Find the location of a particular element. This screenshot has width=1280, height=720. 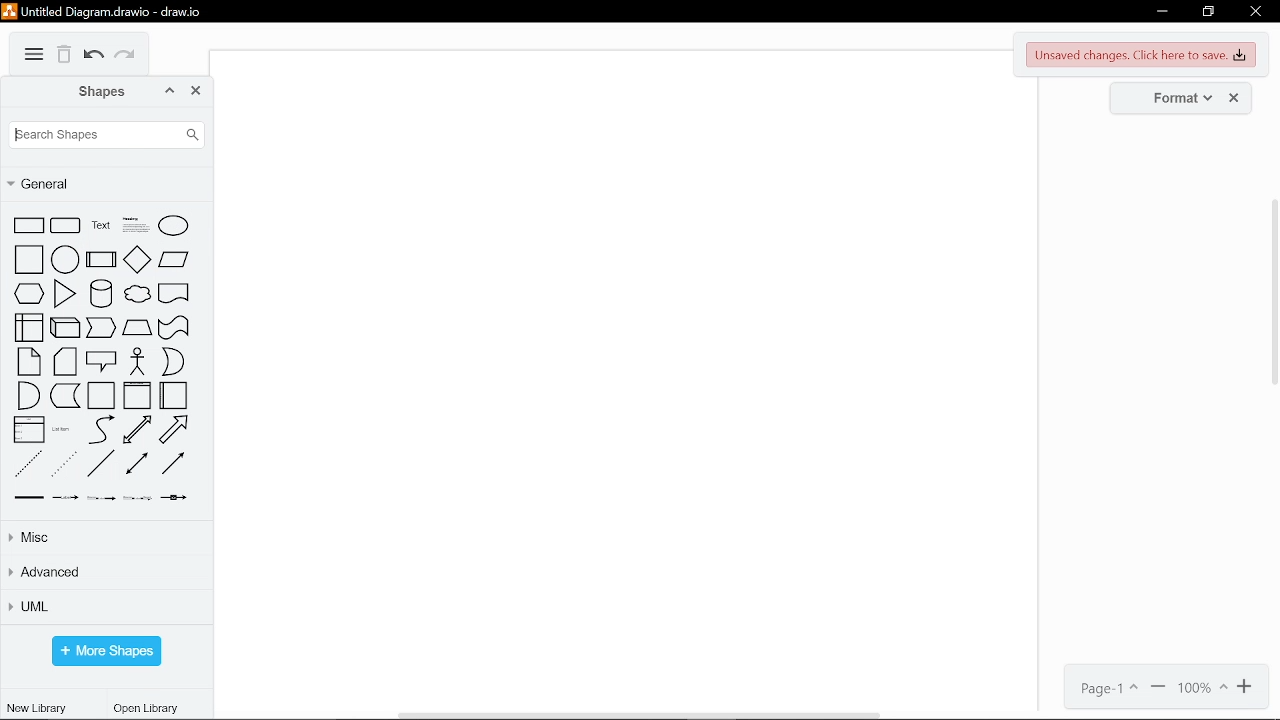

general is located at coordinates (103, 183).